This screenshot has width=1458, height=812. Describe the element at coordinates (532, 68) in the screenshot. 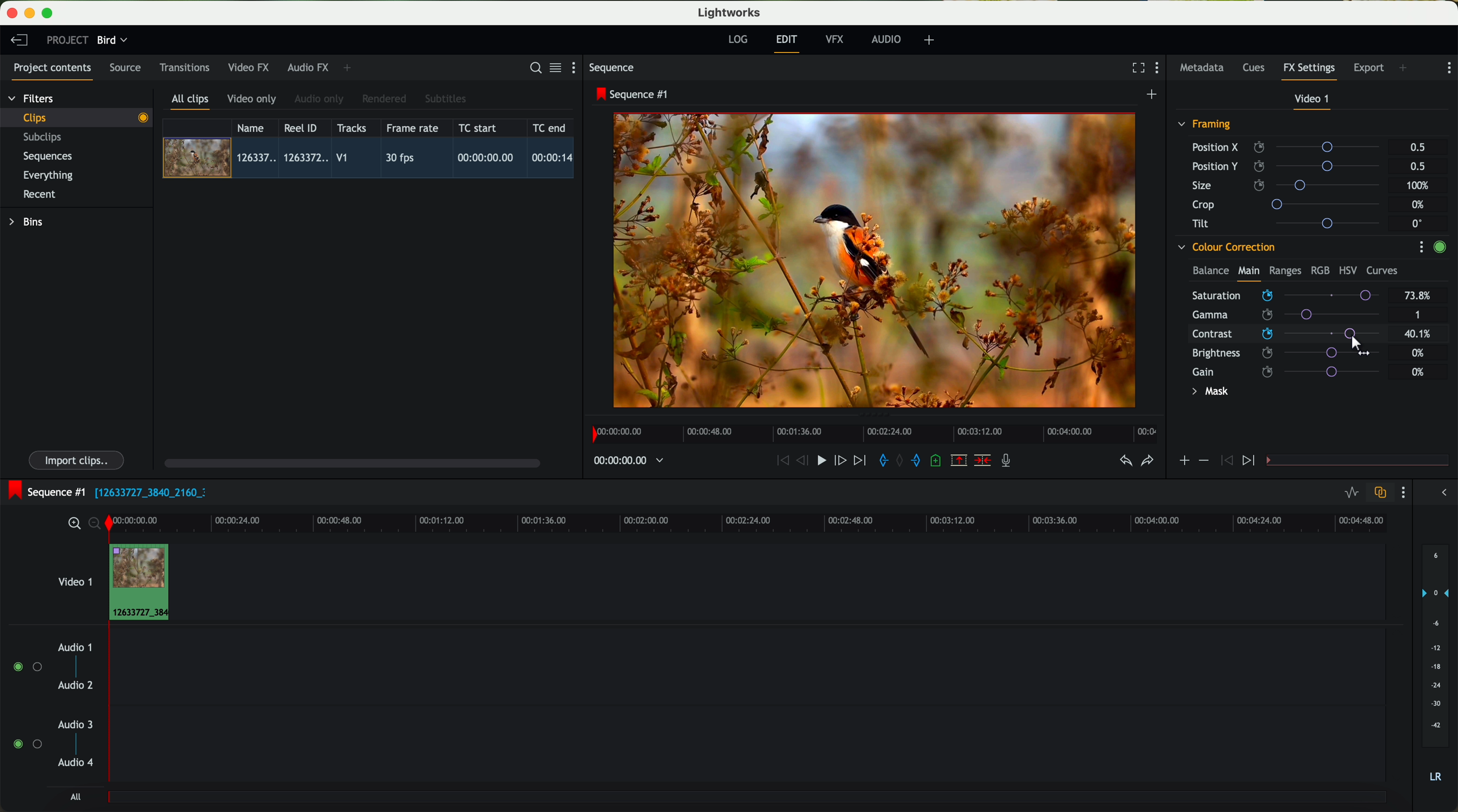

I see `search for assets or bins` at that location.